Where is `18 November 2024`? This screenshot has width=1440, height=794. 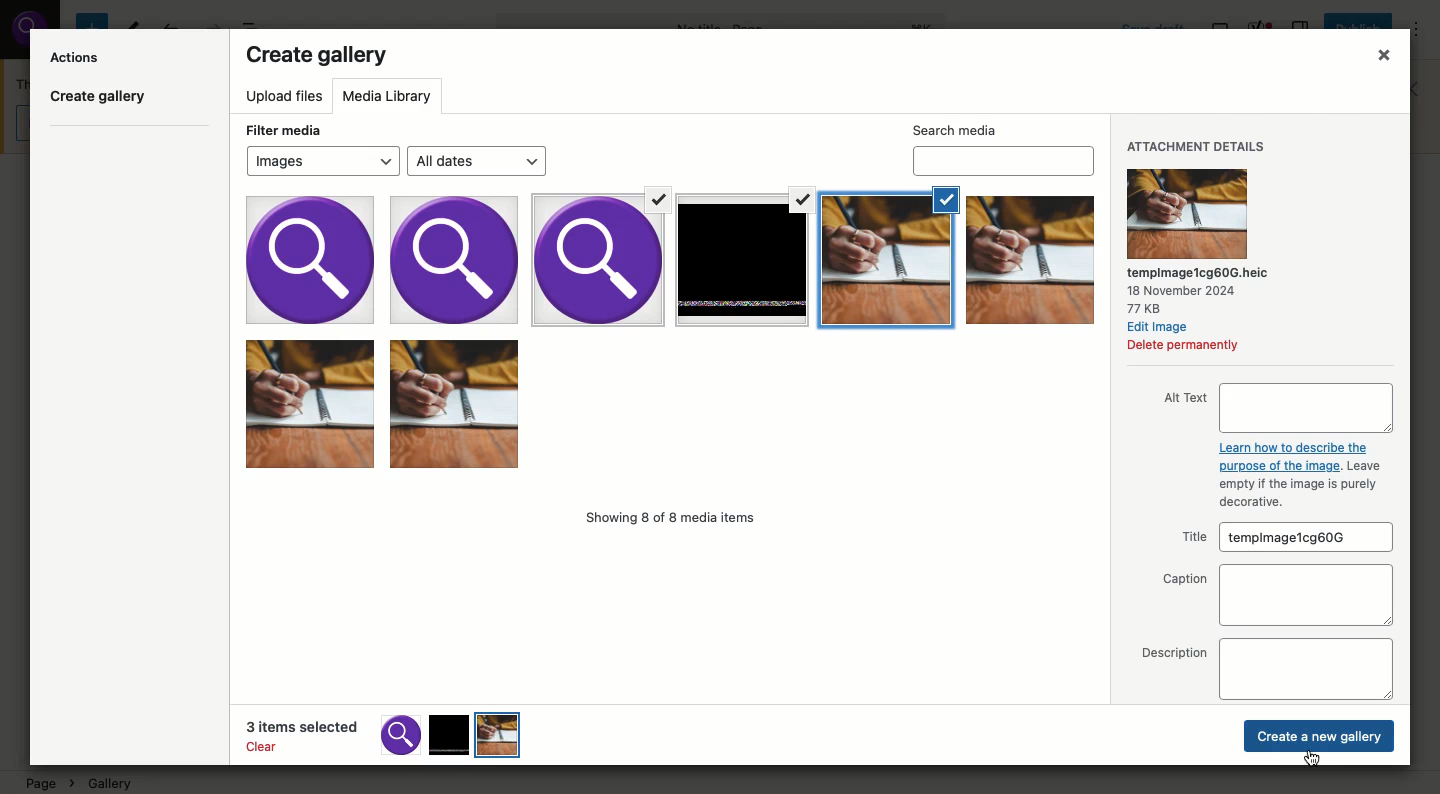 18 November 2024 is located at coordinates (1182, 290).